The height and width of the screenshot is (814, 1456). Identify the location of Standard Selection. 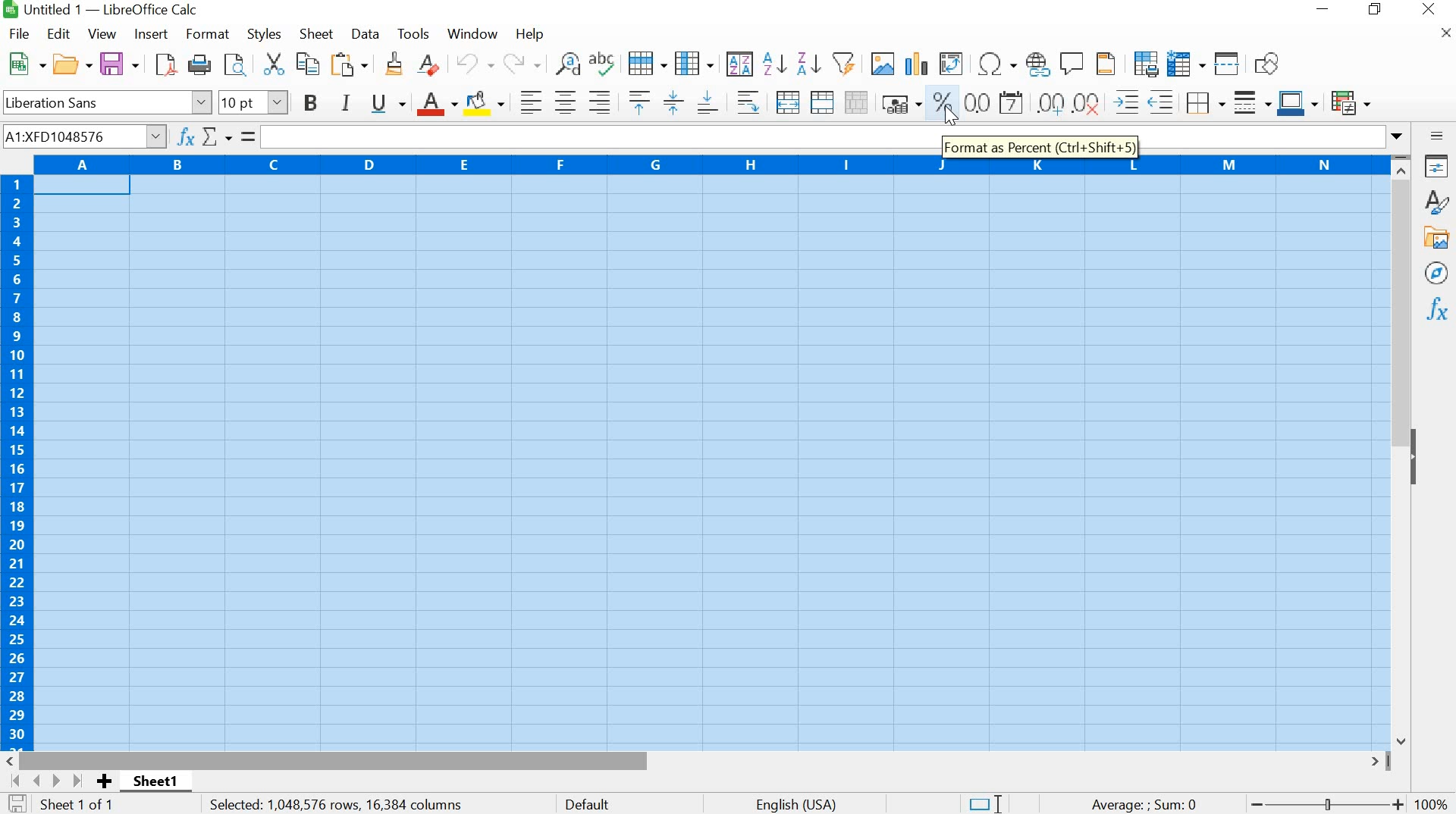
(989, 800).